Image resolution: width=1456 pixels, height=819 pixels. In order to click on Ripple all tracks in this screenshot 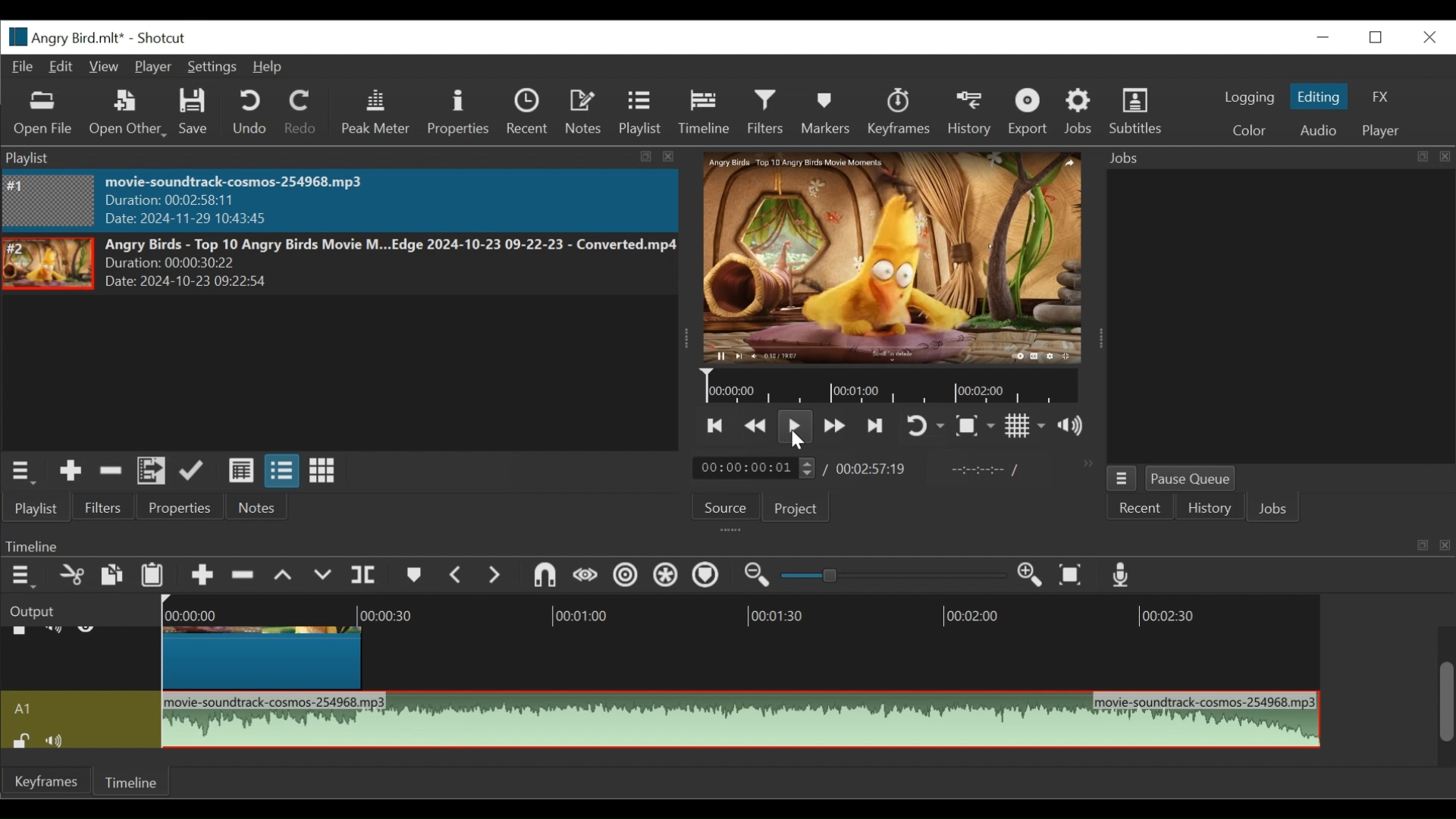, I will do `click(667, 578)`.